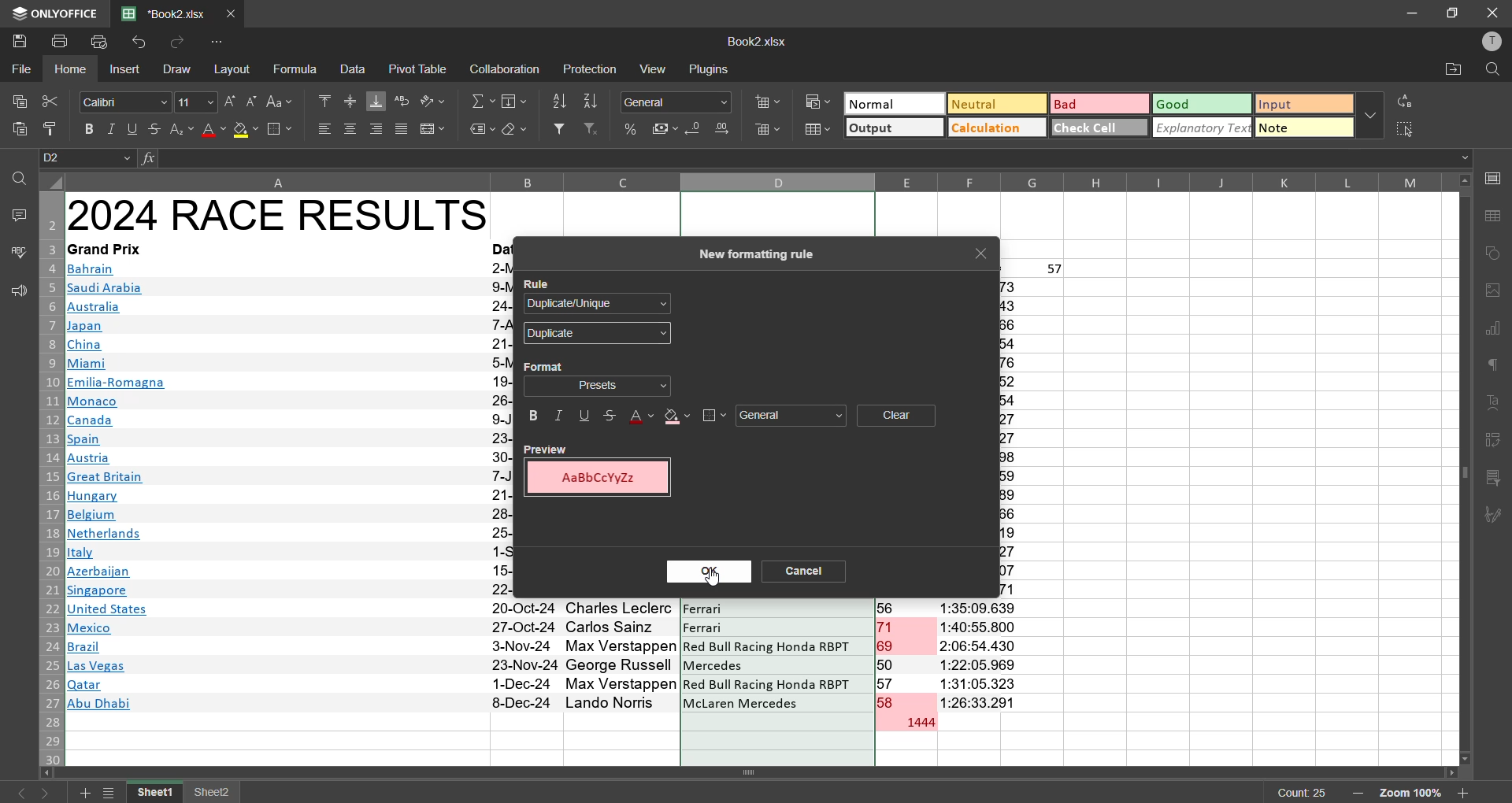 The height and width of the screenshot is (803, 1512). I want to click on good, so click(1202, 103).